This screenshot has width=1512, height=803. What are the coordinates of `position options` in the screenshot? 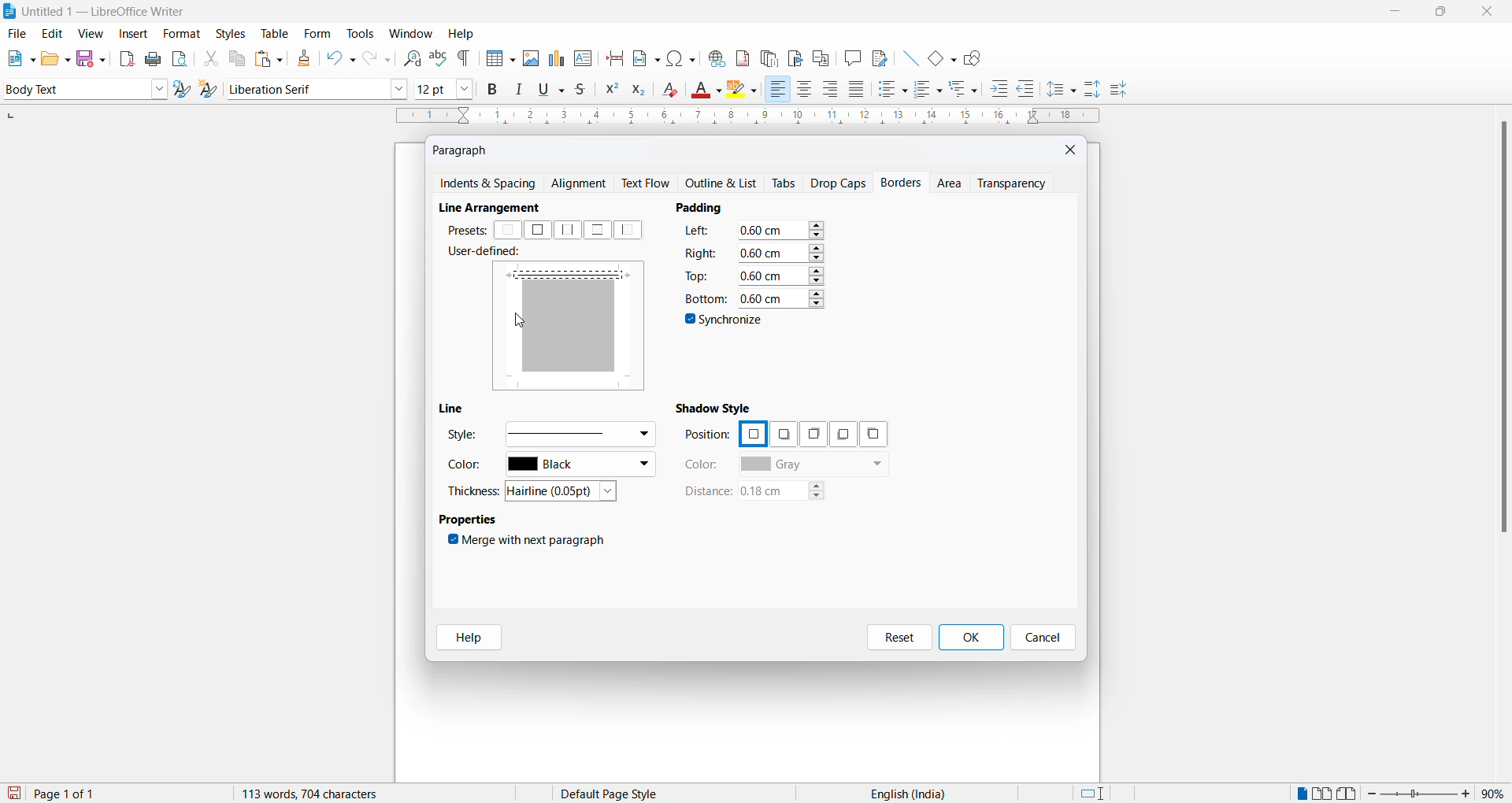 It's located at (810, 434).